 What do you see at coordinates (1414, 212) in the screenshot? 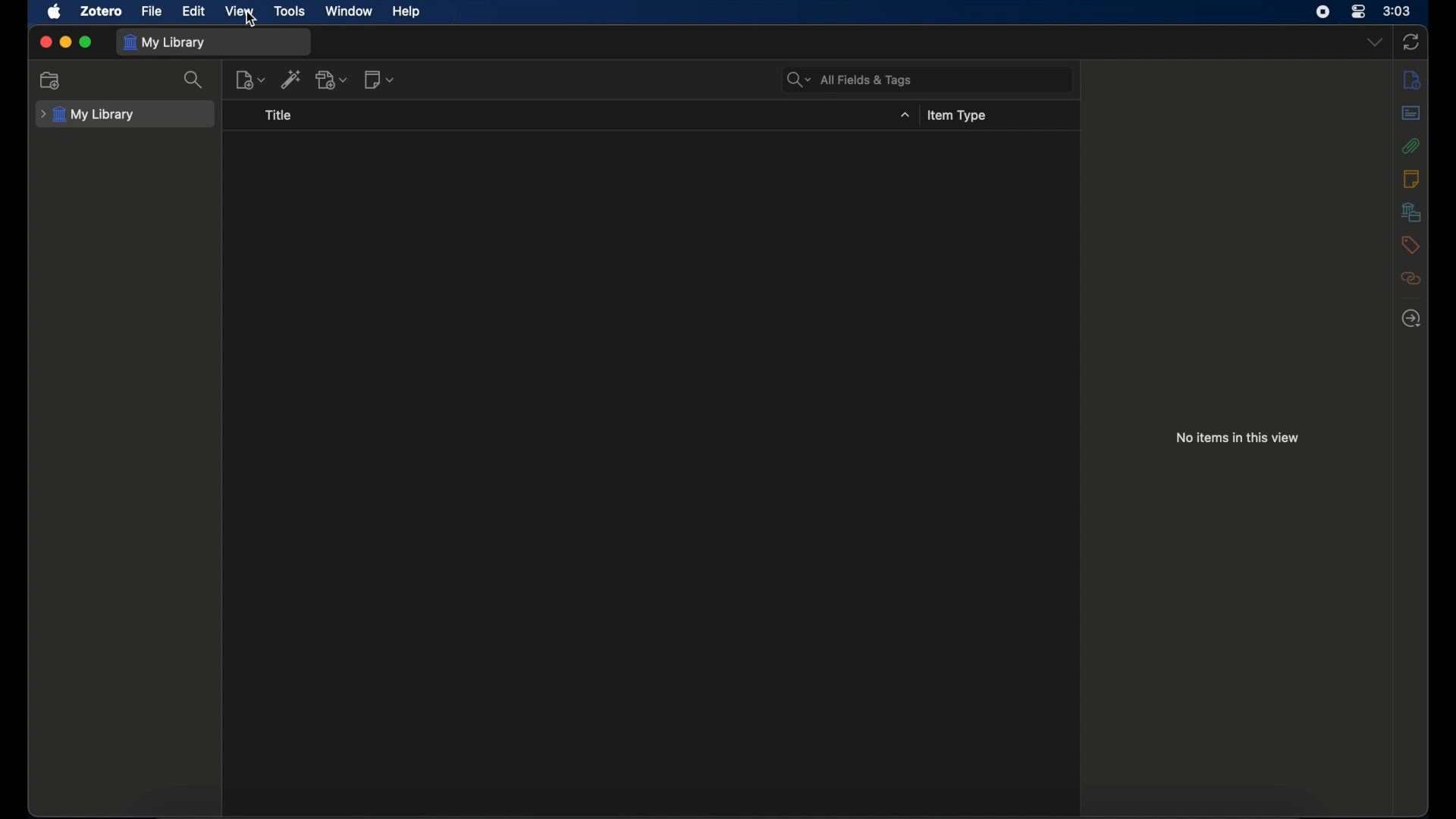
I see `libraries` at bounding box center [1414, 212].